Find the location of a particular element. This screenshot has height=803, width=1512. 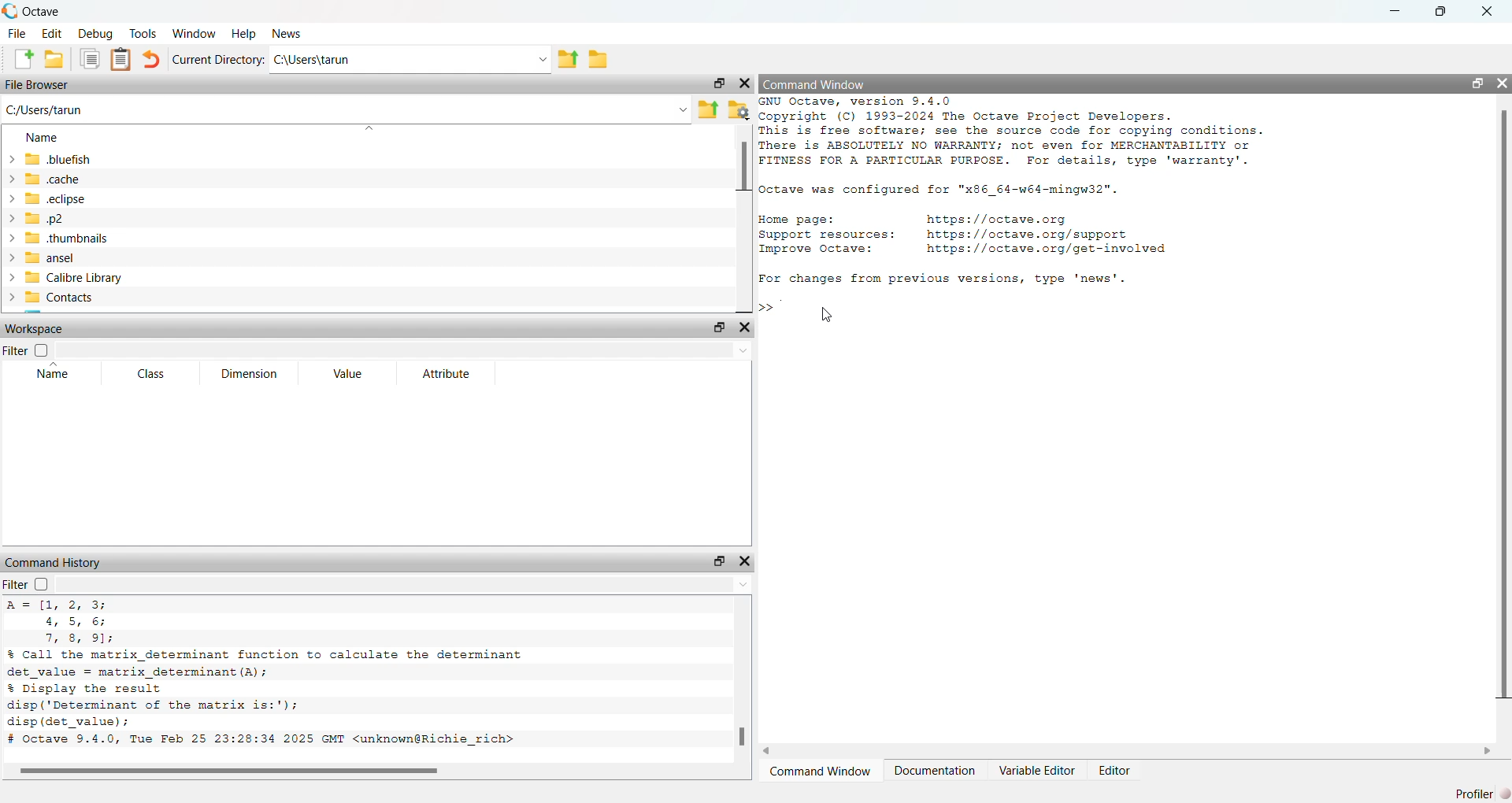

cursor is located at coordinates (832, 316).